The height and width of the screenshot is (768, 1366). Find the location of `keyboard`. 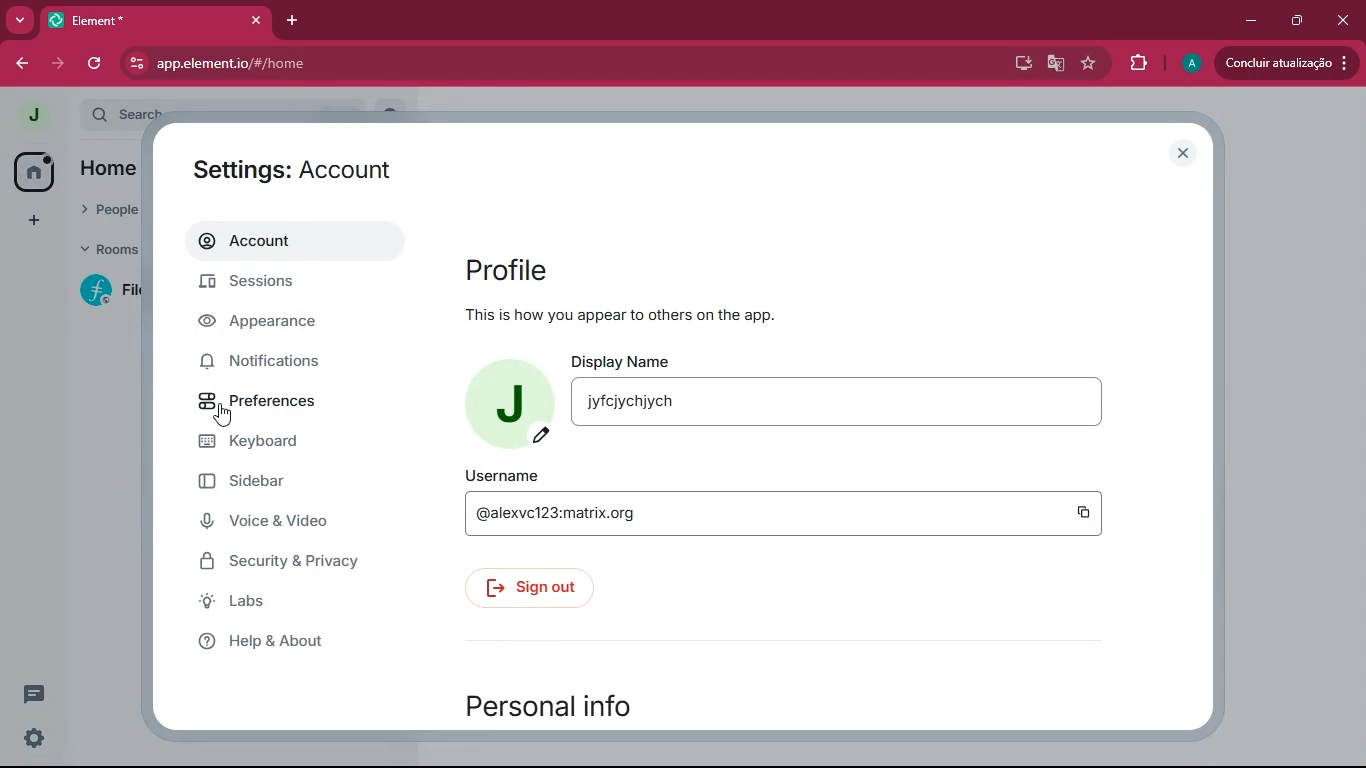

keyboard is located at coordinates (277, 444).